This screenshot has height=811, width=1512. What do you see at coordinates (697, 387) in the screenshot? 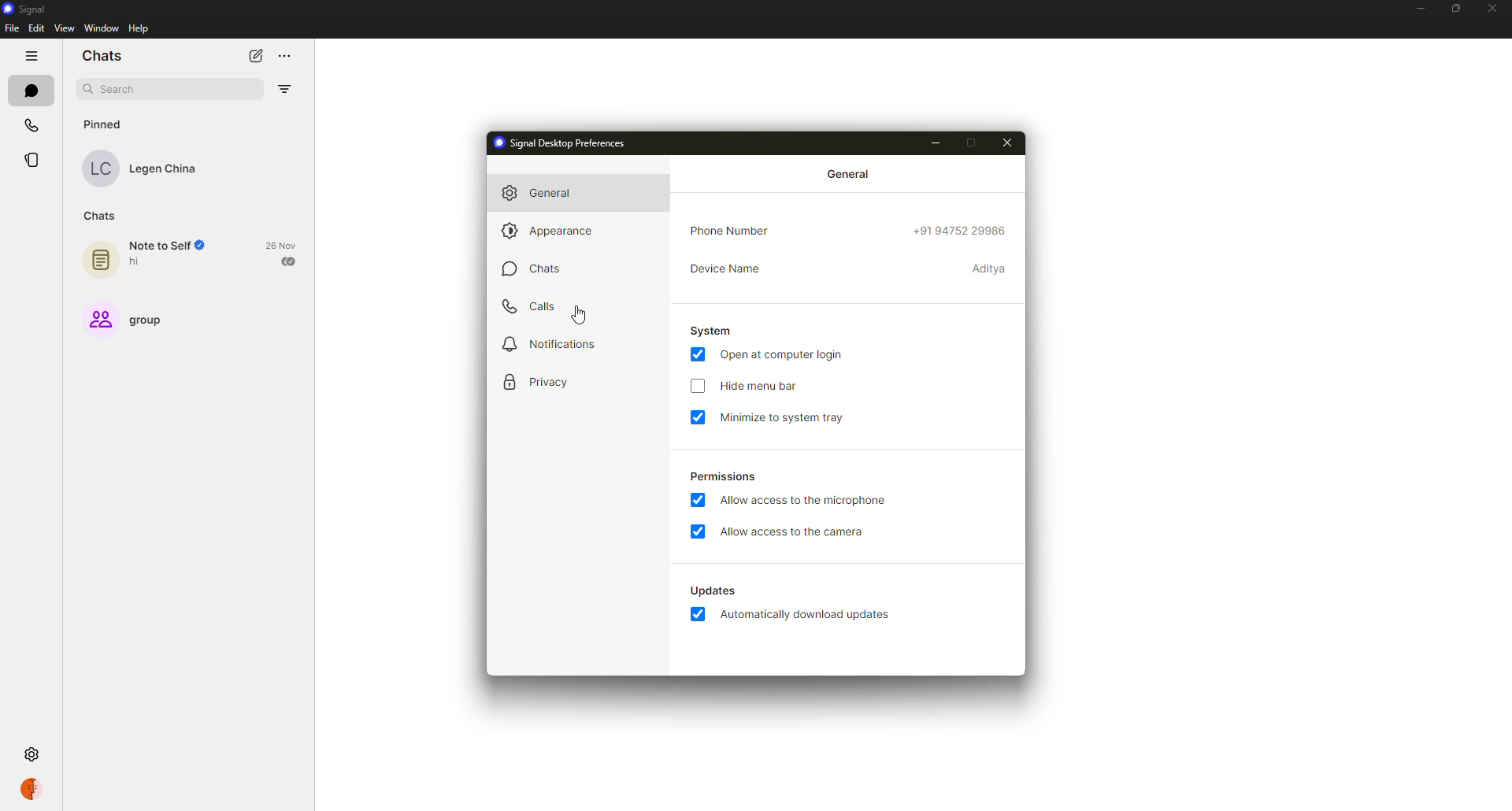
I see `click to enable` at bounding box center [697, 387].